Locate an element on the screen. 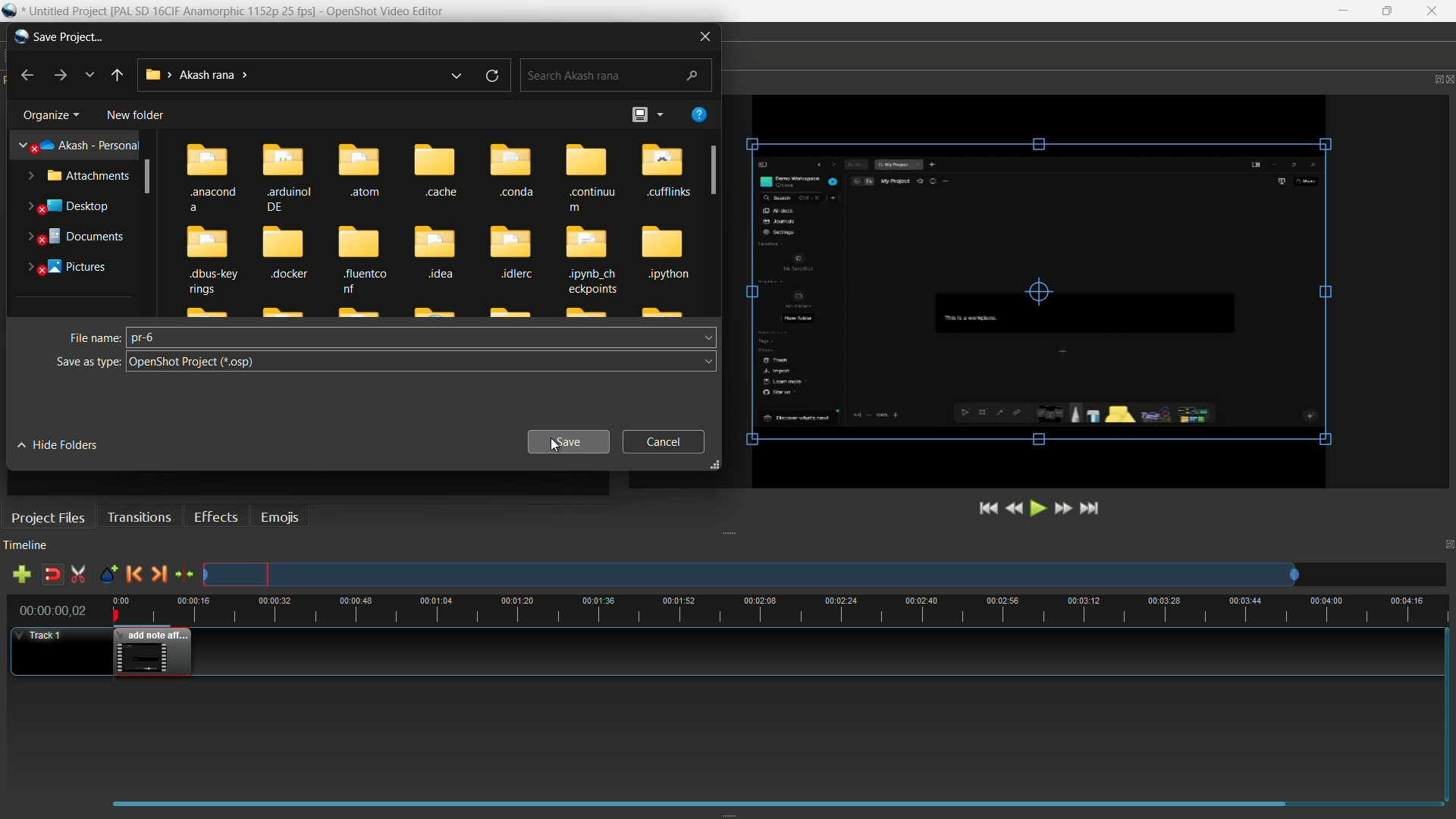  back is located at coordinates (118, 77).